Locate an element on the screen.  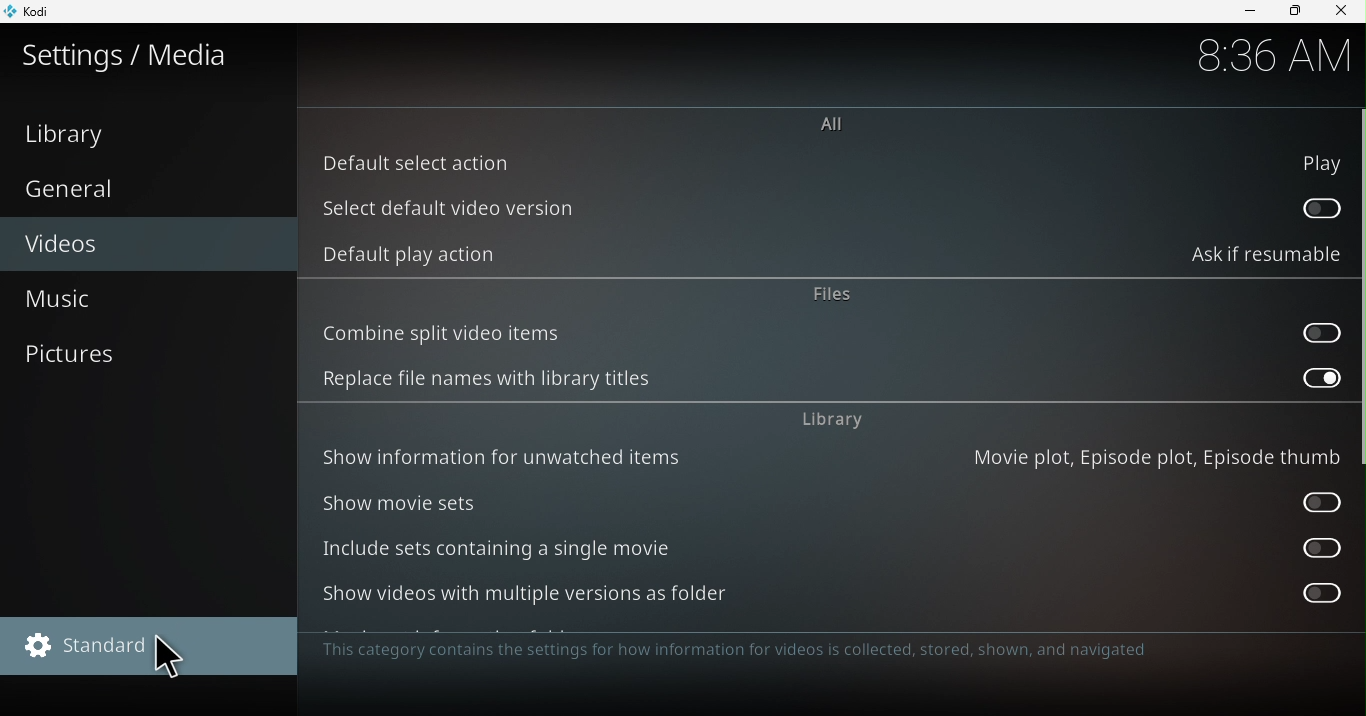
General is located at coordinates (143, 187).